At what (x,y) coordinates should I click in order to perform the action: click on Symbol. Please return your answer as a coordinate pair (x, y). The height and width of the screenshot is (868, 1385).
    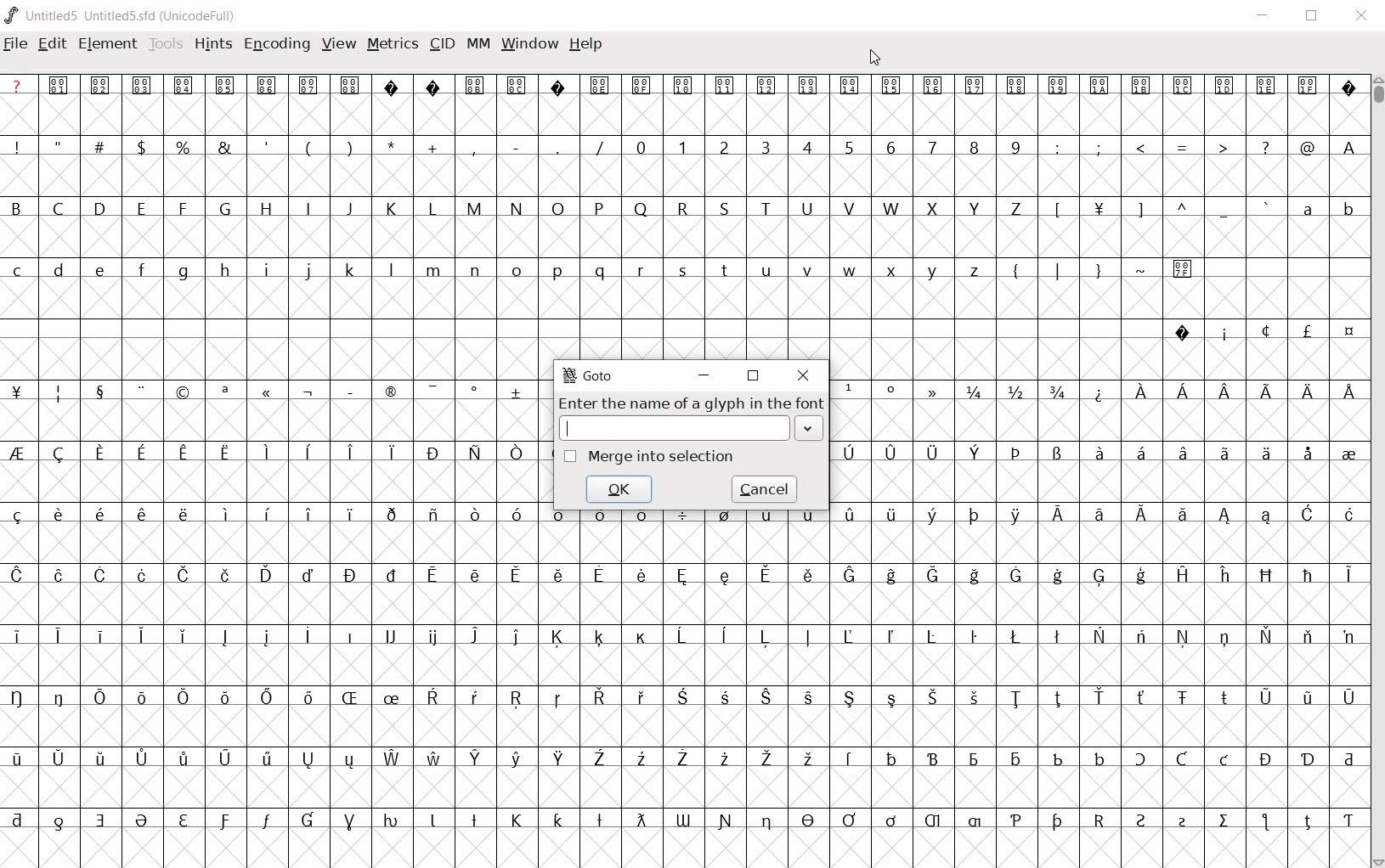
    Looking at the image, I should click on (1058, 699).